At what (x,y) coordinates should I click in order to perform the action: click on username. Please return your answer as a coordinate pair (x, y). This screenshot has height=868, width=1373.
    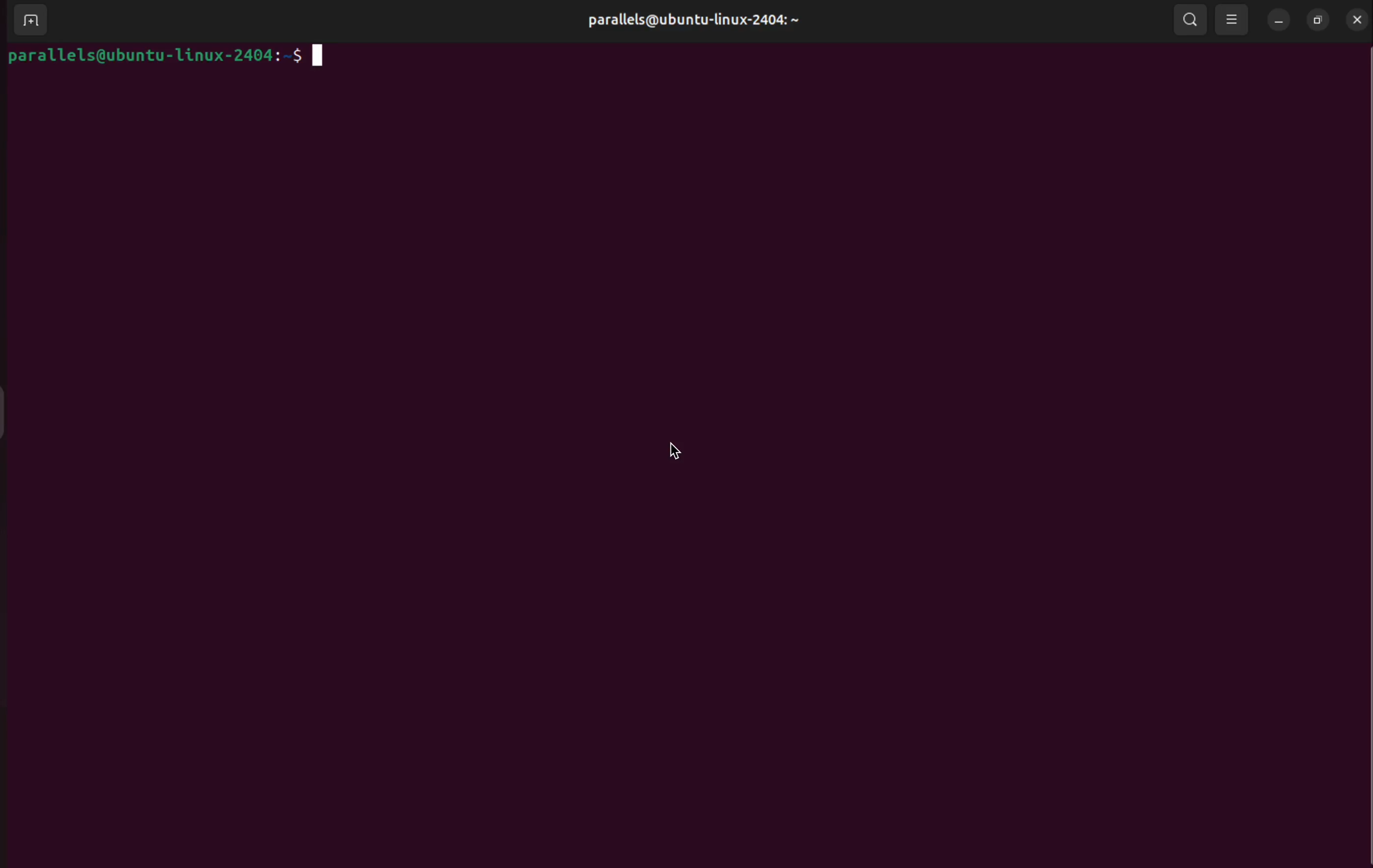
    Looking at the image, I should click on (692, 19).